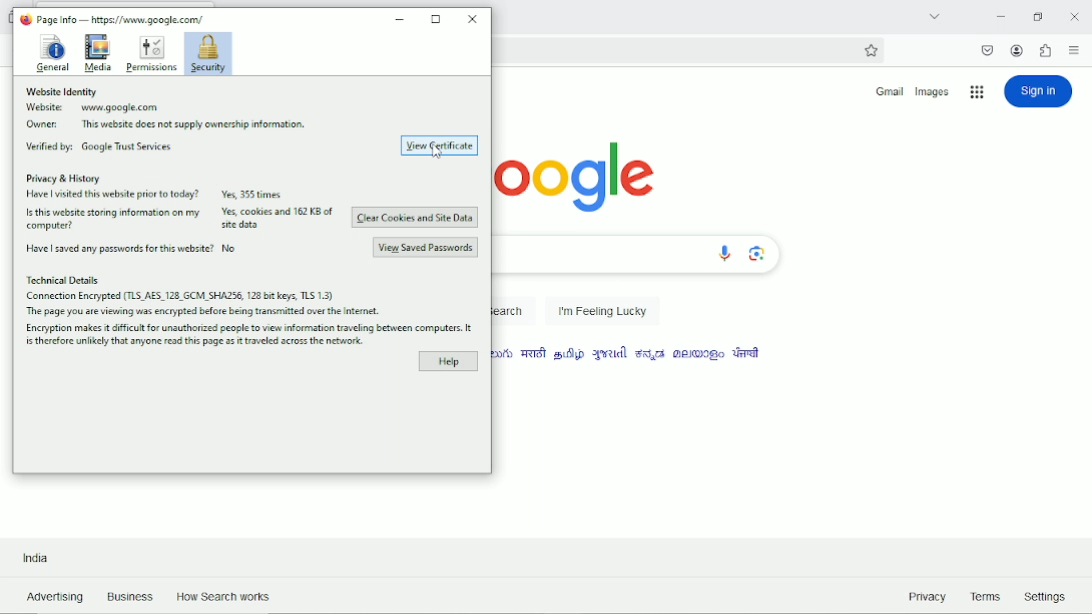 The height and width of the screenshot is (614, 1092). Describe the element at coordinates (511, 311) in the screenshot. I see `Google search` at that location.